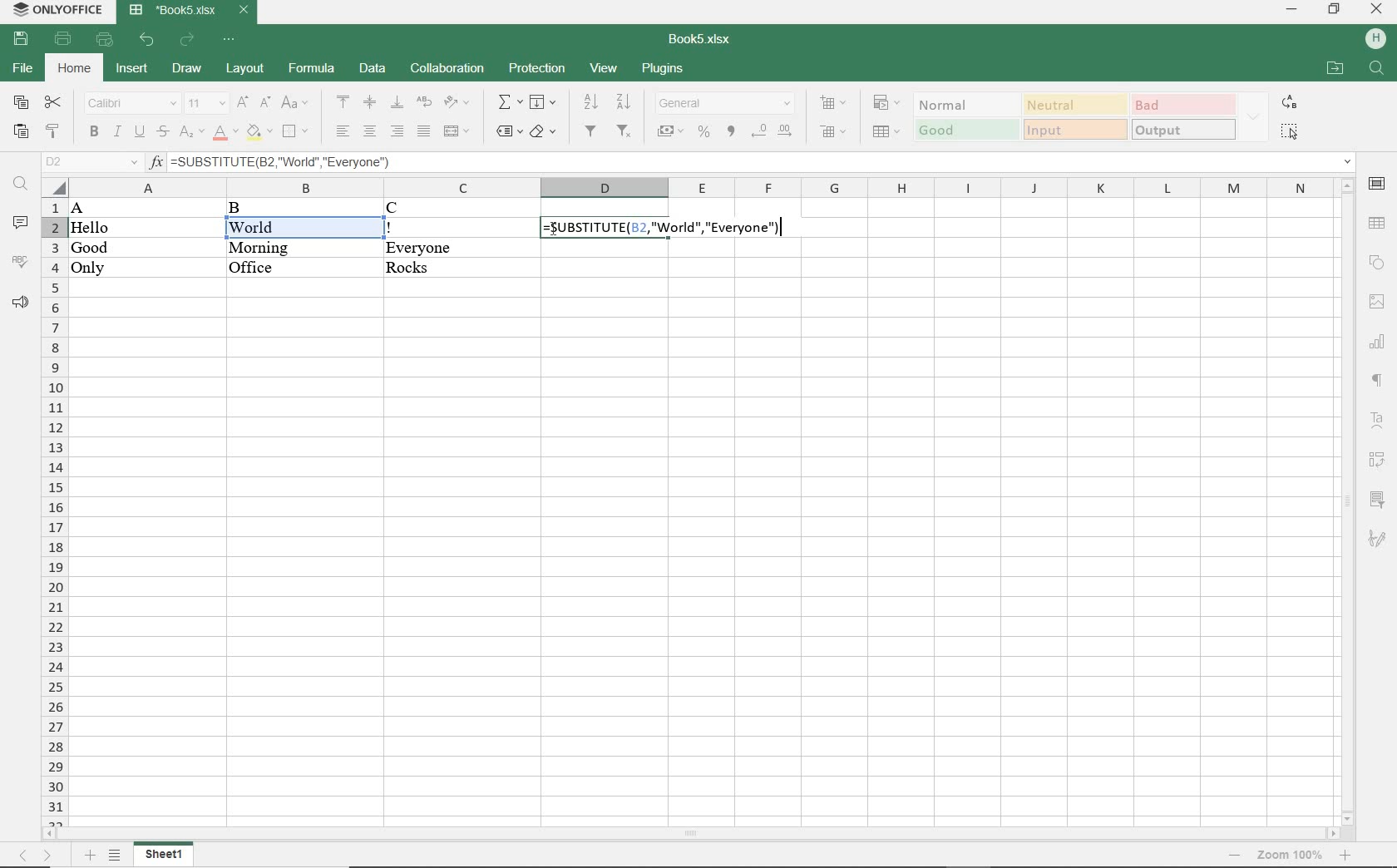  What do you see at coordinates (1377, 223) in the screenshot?
I see `table` at bounding box center [1377, 223].